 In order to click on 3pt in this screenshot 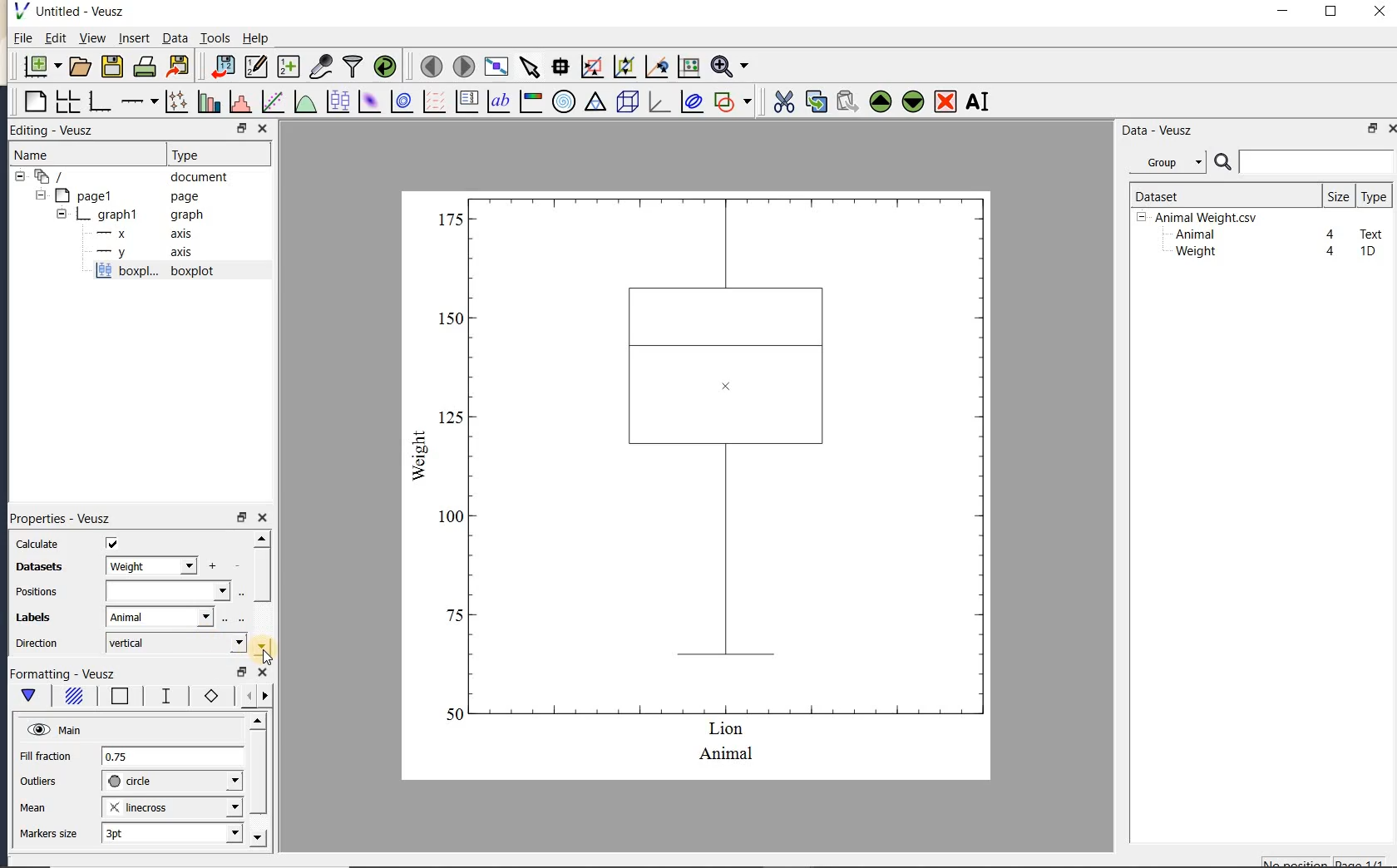, I will do `click(170, 832)`.